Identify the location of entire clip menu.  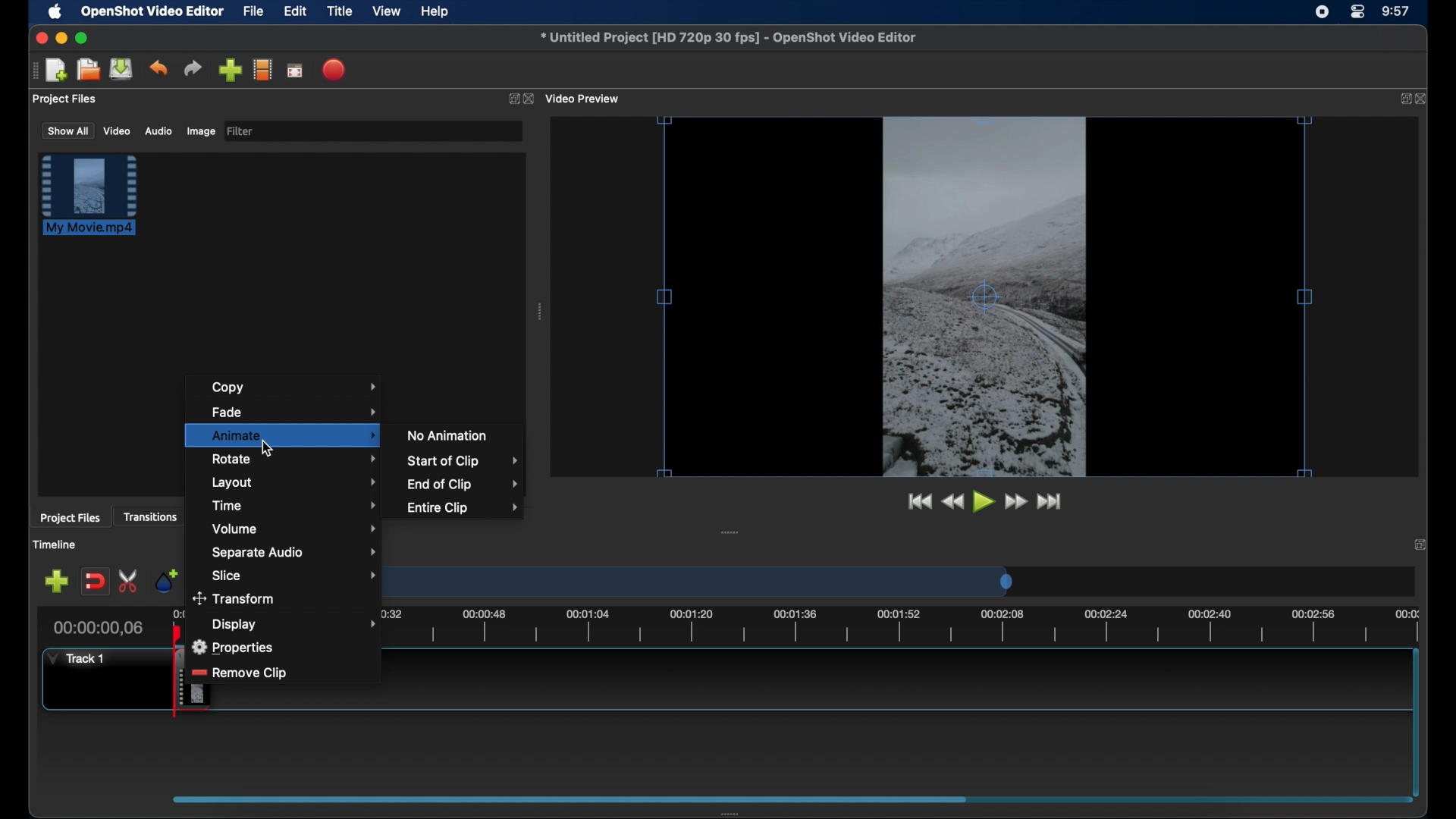
(463, 507).